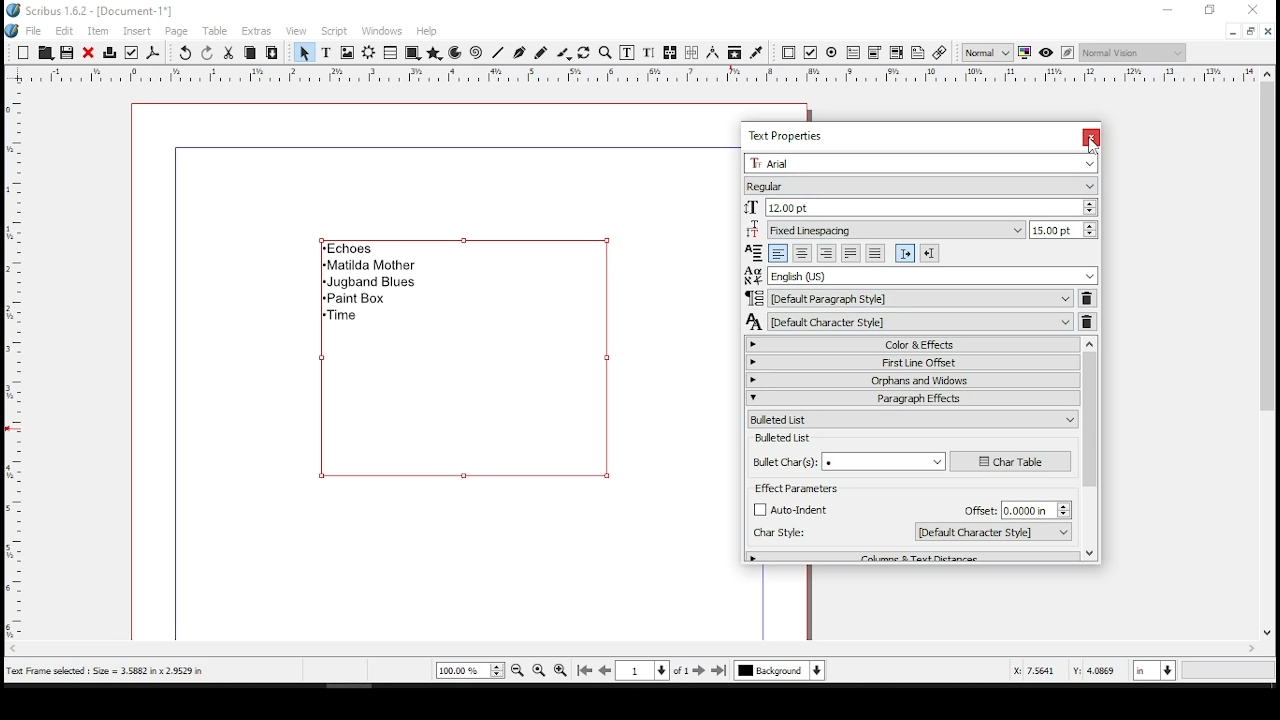  Describe the element at coordinates (1016, 509) in the screenshot. I see `offset` at that location.